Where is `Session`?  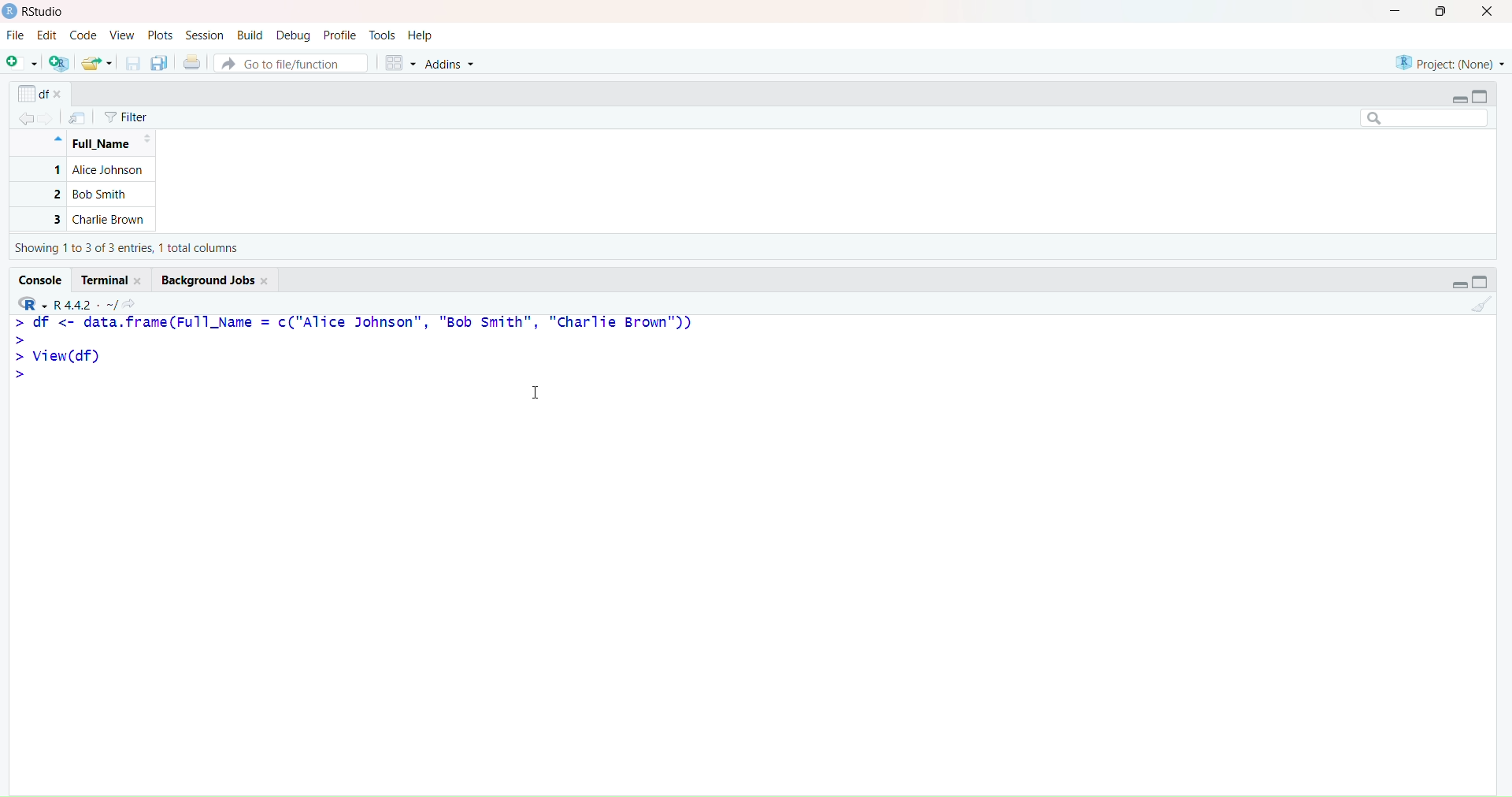 Session is located at coordinates (205, 35).